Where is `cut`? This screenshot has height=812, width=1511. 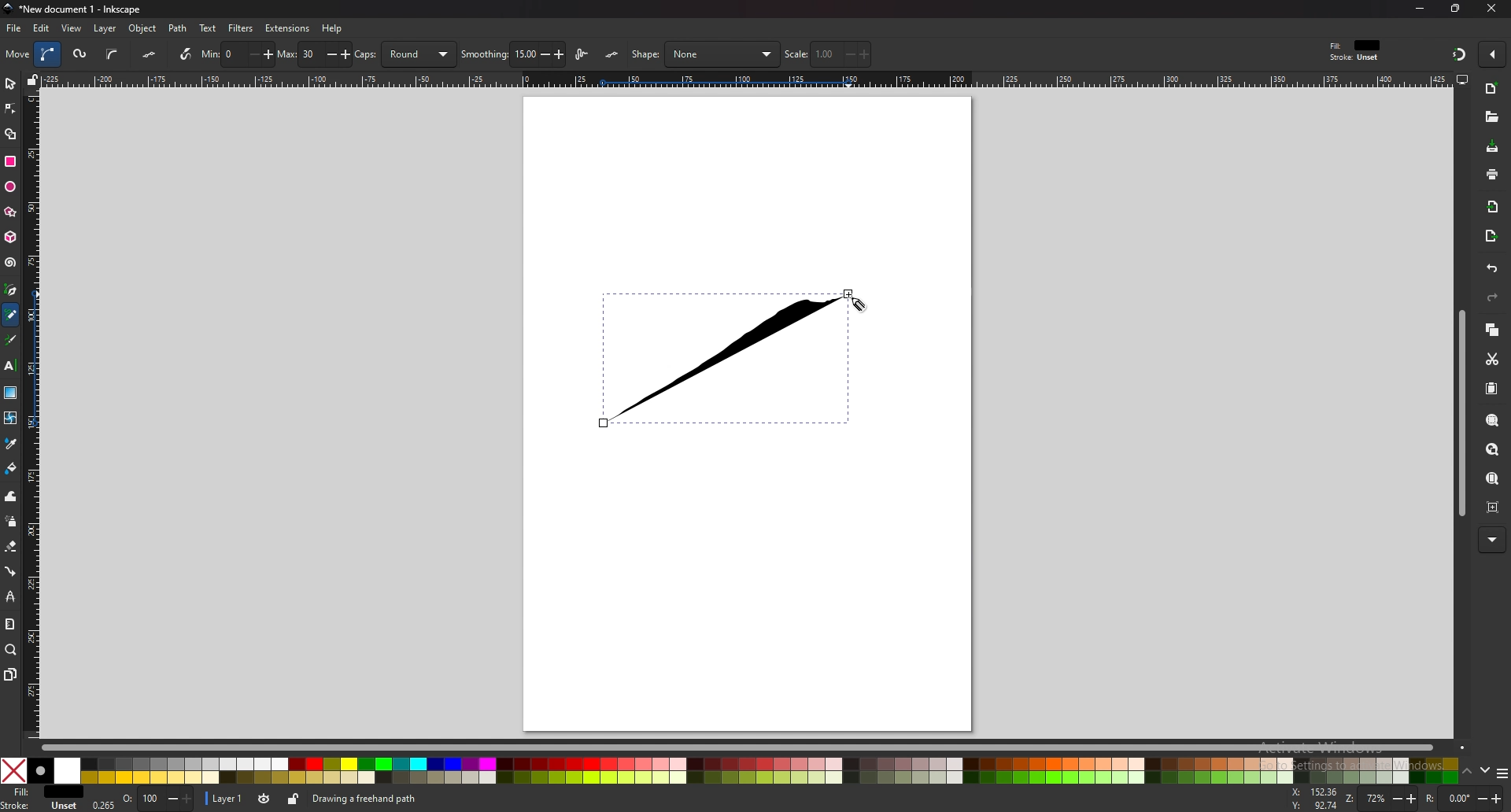 cut is located at coordinates (1490, 359).